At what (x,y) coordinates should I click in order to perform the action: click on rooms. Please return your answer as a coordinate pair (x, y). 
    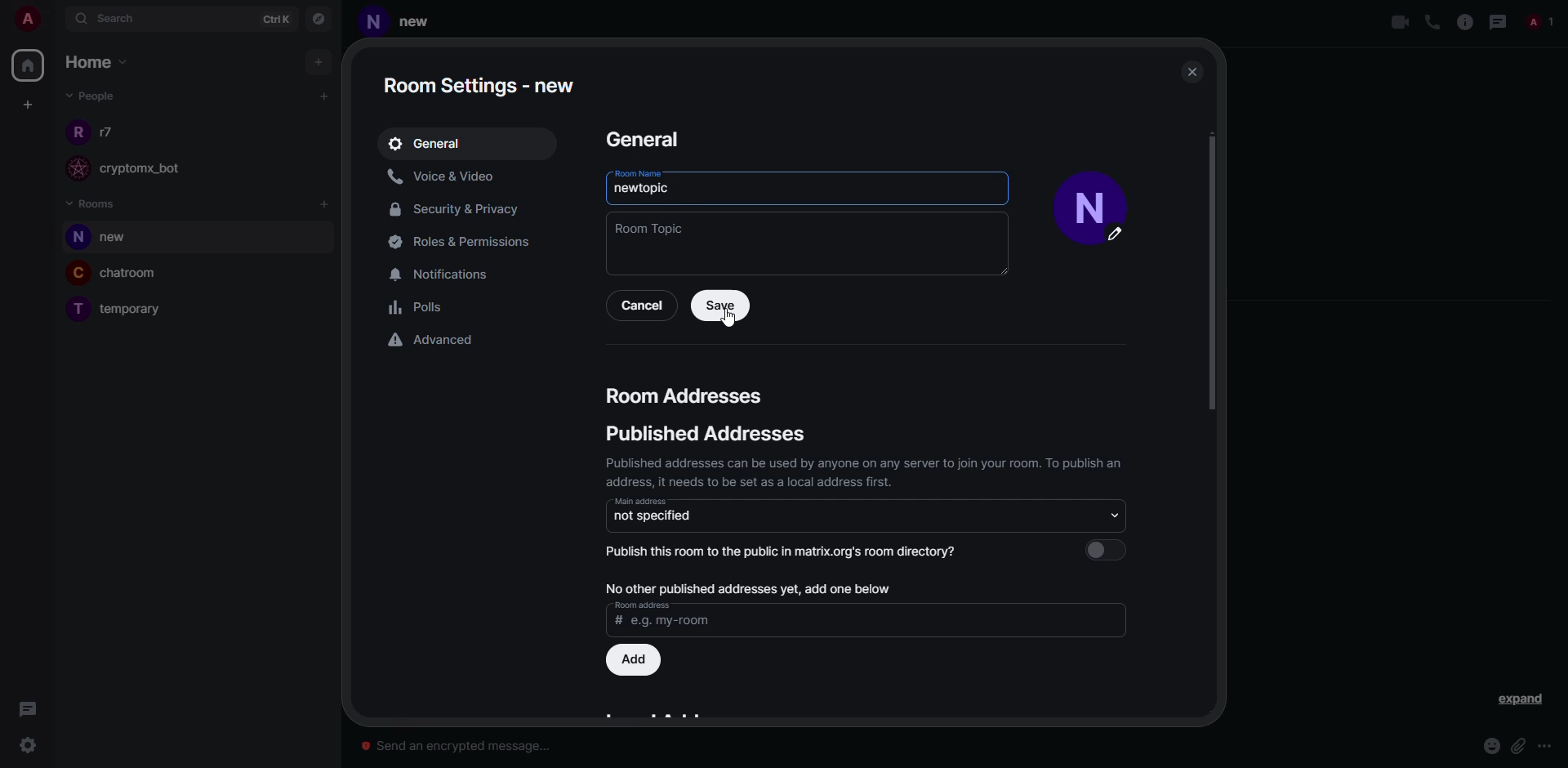
    Looking at the image, I should click on (93, 203).